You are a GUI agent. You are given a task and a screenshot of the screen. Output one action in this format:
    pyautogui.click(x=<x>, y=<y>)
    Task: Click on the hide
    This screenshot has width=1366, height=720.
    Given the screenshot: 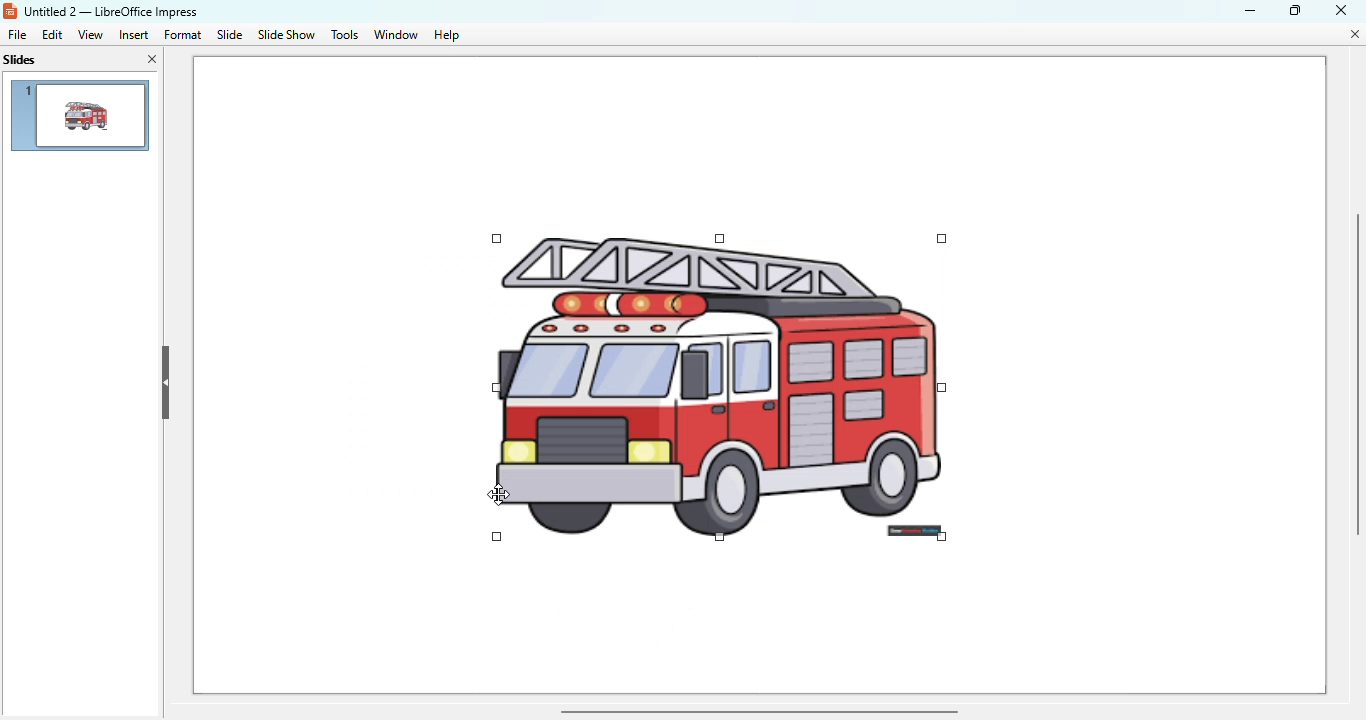 What is the action you would take?
    pyautogui.click(x=166, y=384)
    